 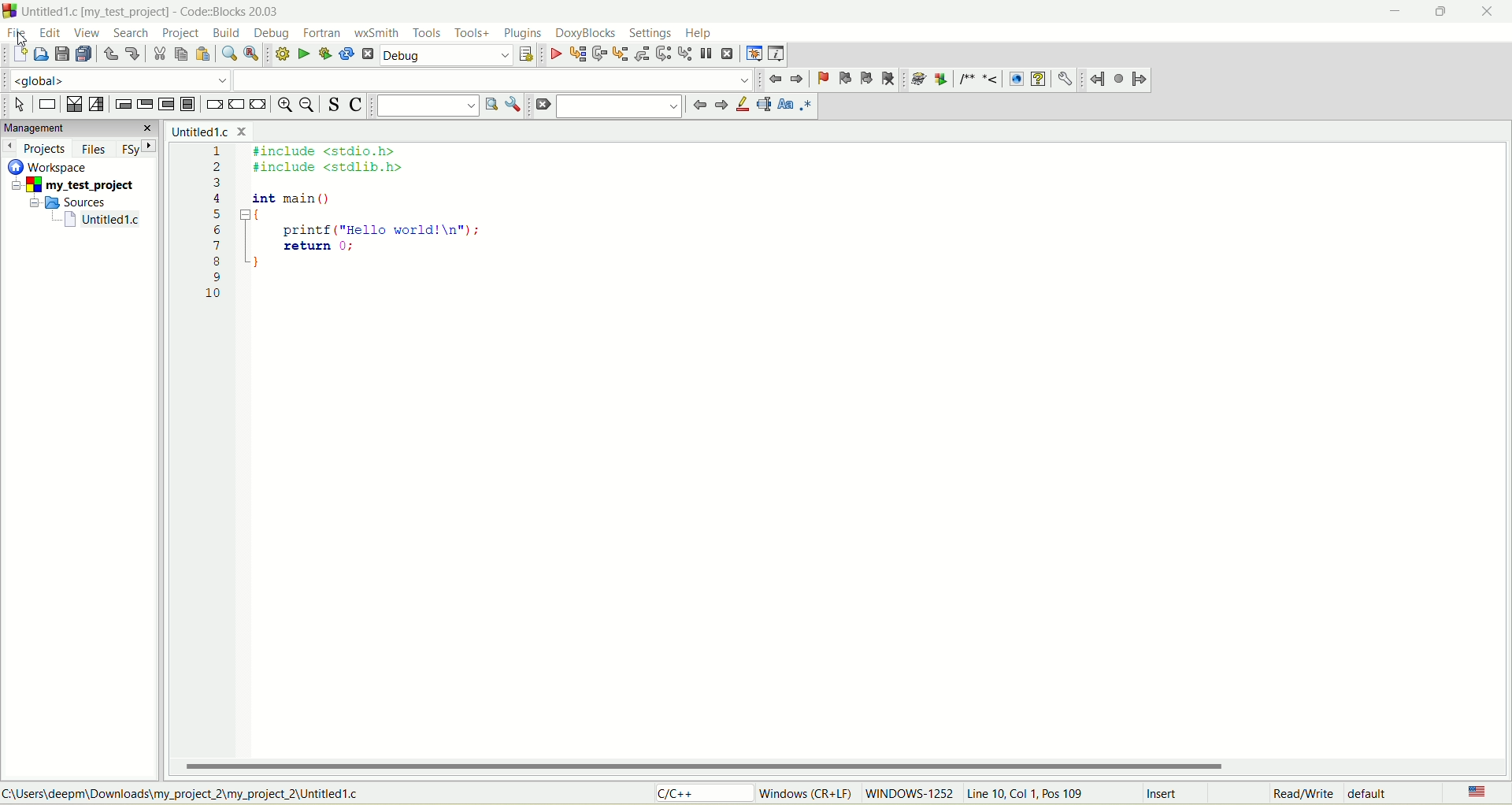 What do you see at coordinates (916, 80) in the screenshot?
I see `doxywizard` at bounding box center [916, 80].